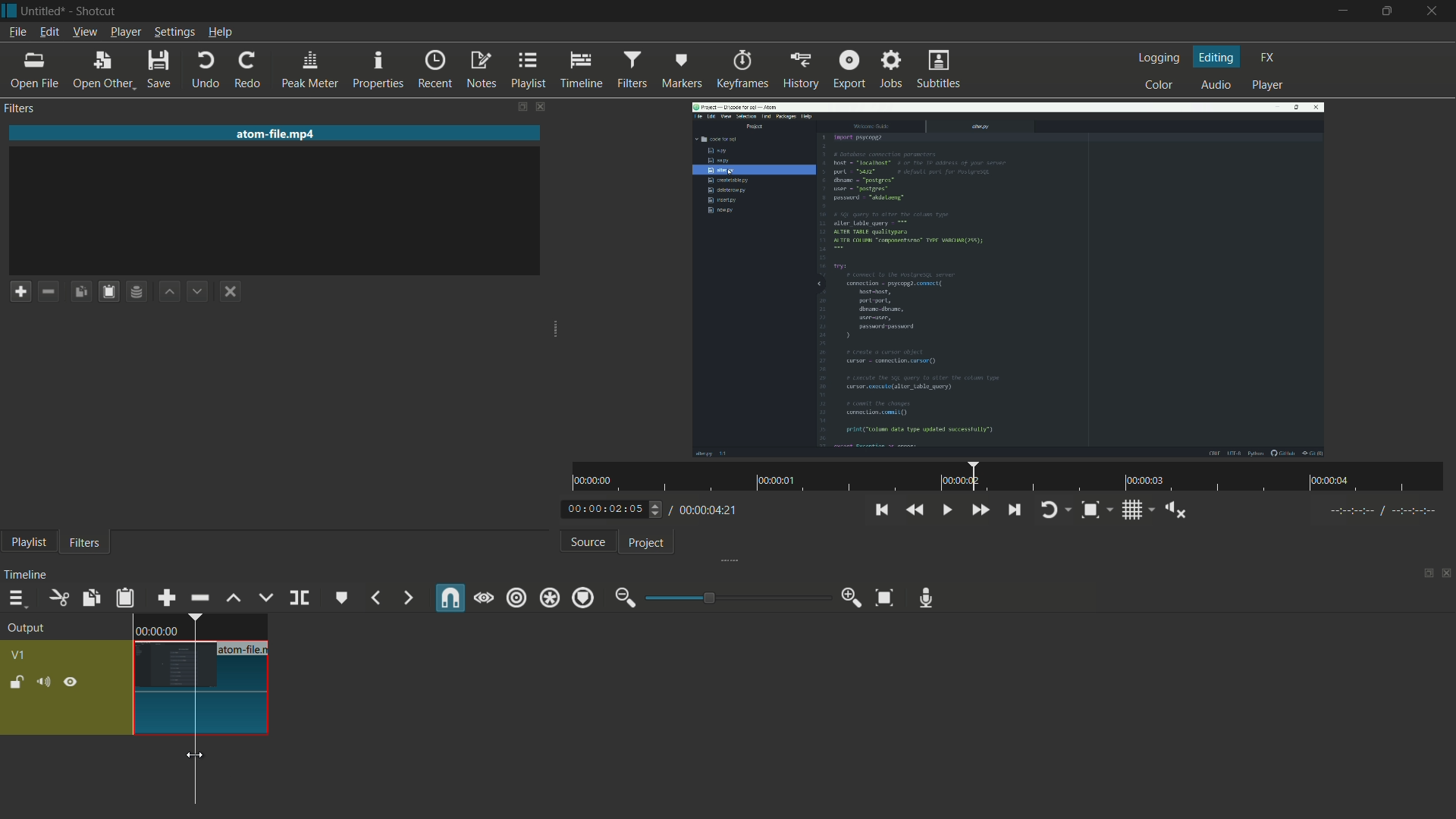 The width and height of the screenshot is (1456, 819). I want to click on filters, so click(85, 544).